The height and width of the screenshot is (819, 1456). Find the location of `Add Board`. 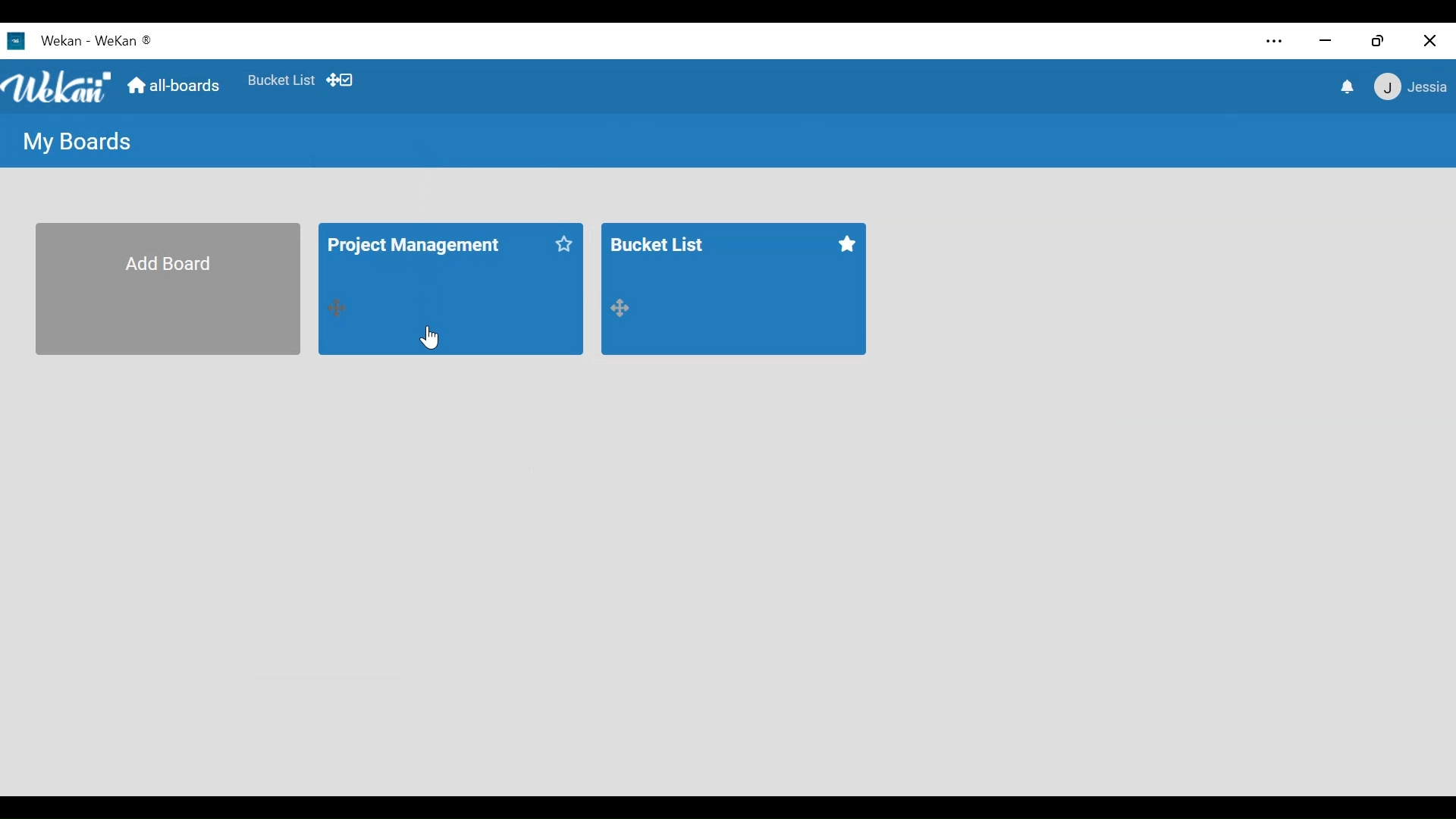

Add Board is located at coordinates (167, 288).